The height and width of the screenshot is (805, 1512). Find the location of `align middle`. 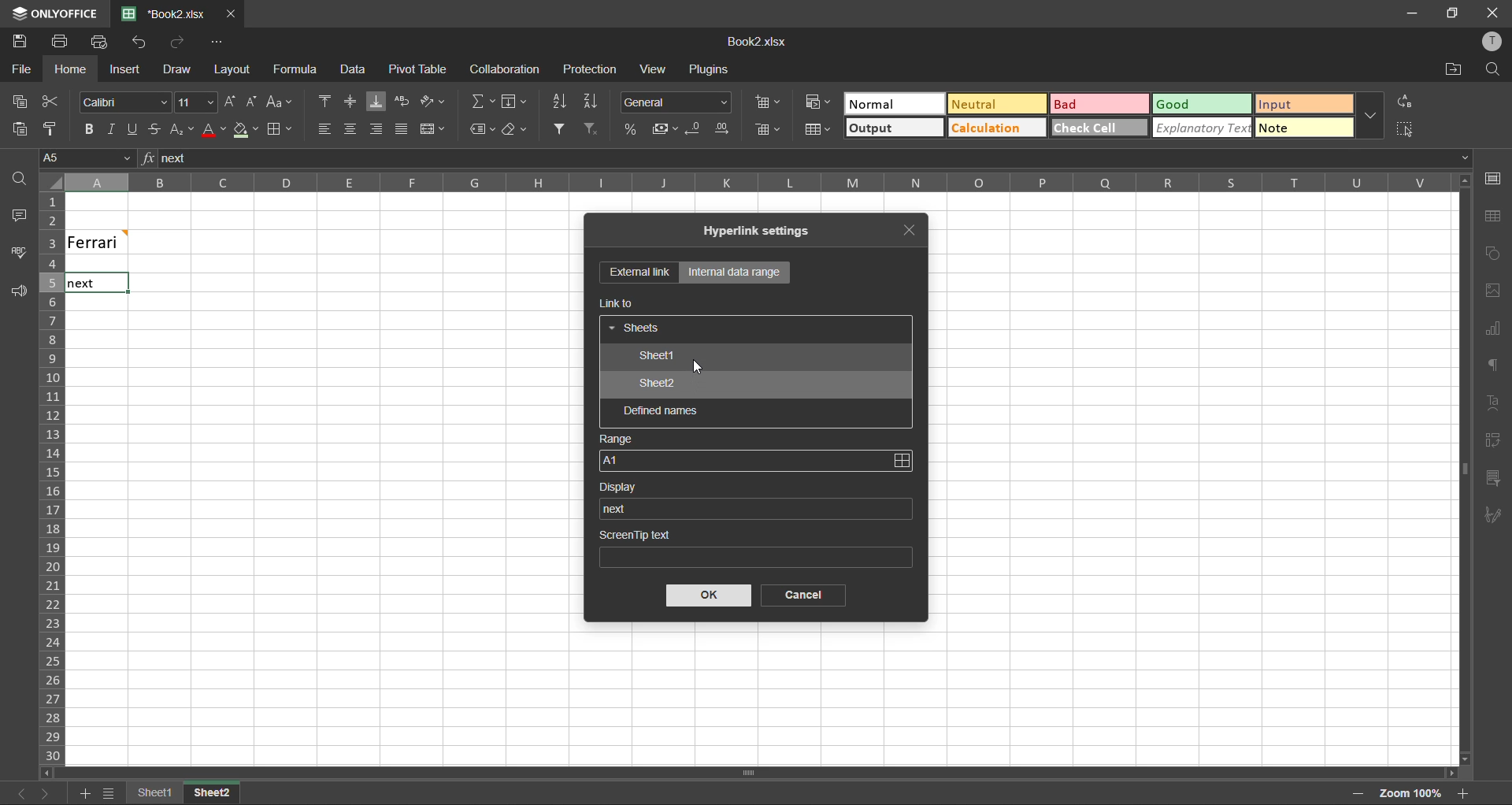

align middle is located at coordinates (352, 101).